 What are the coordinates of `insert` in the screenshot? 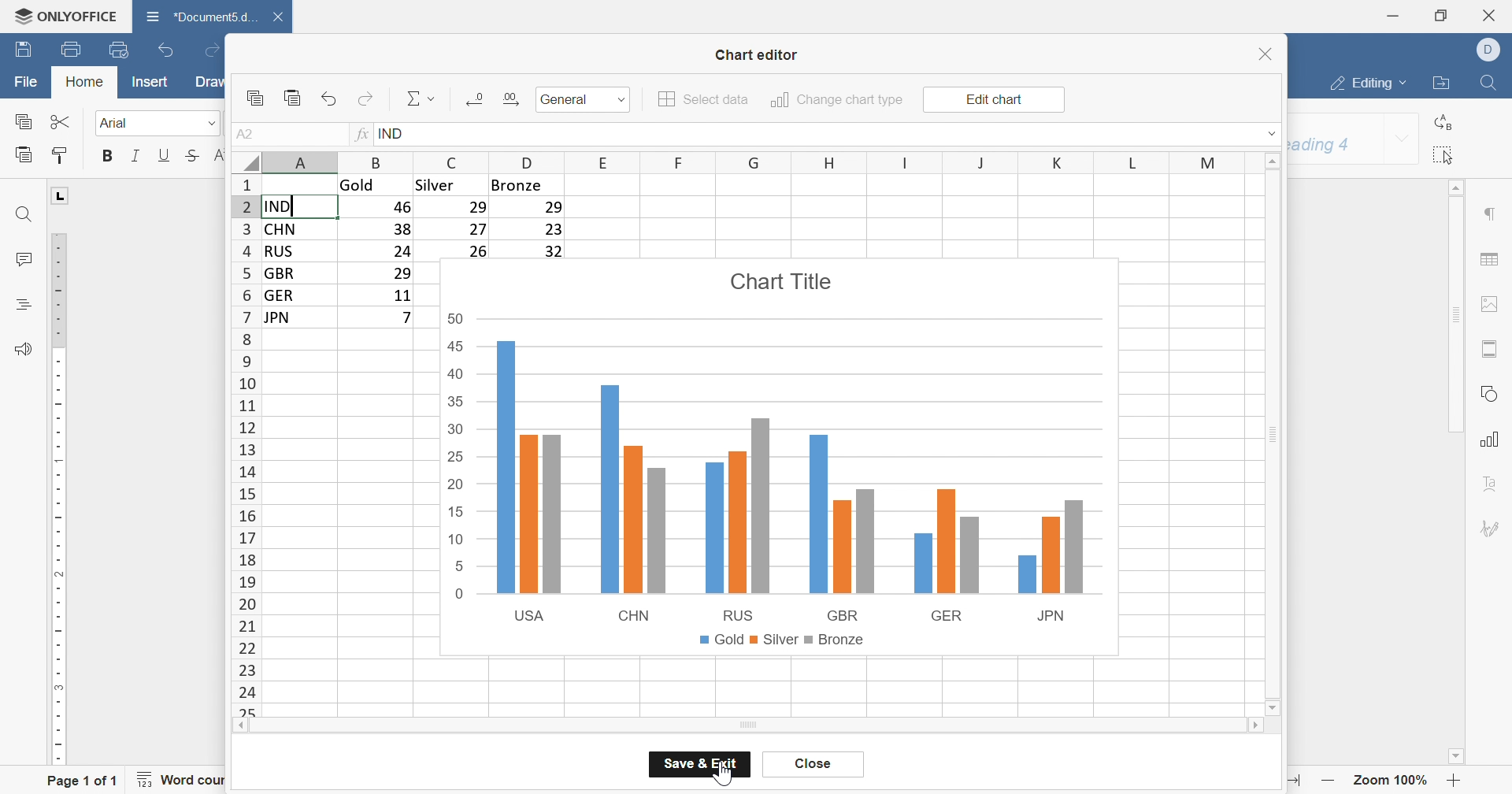 It's located at (150, 80).